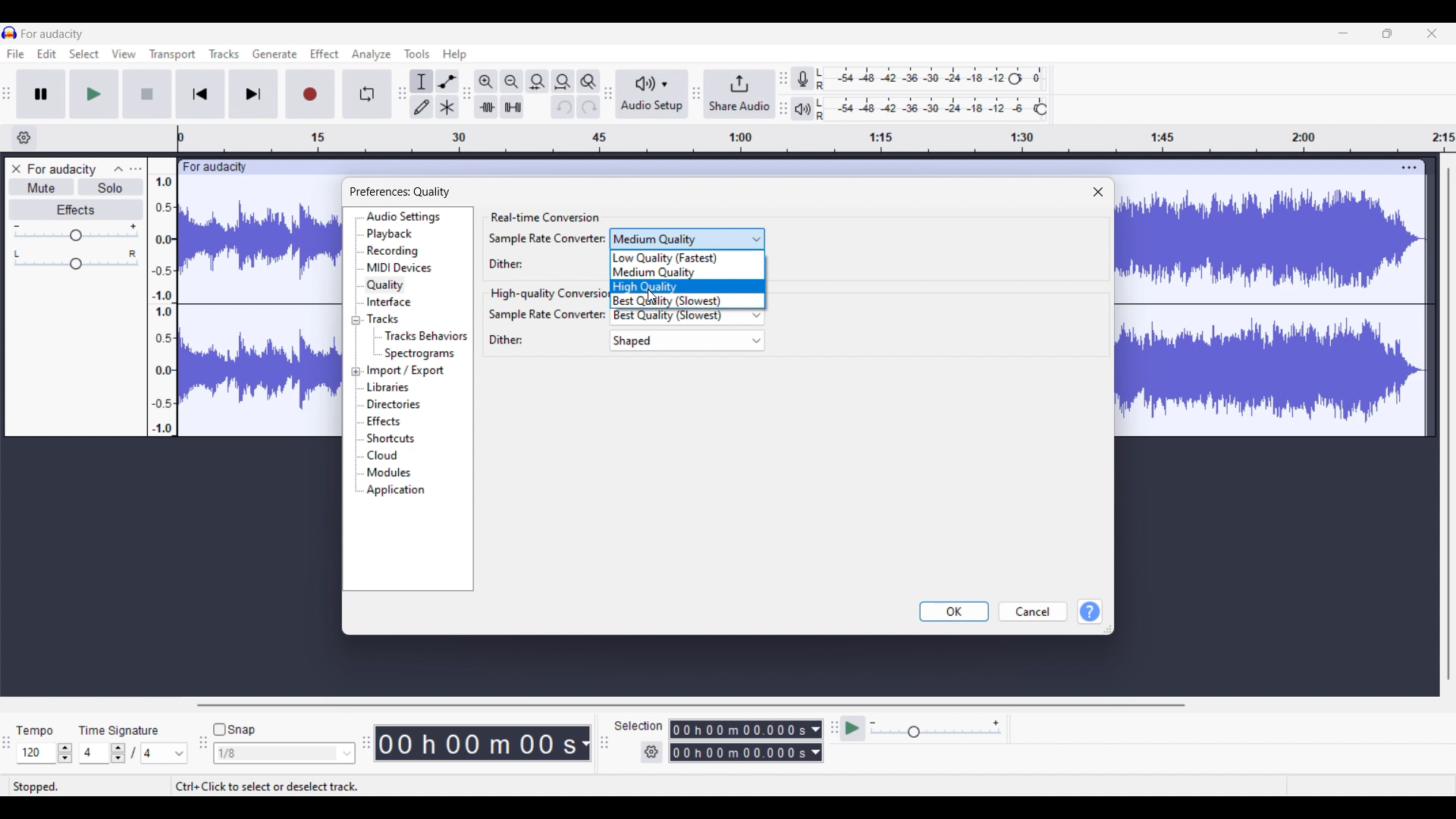 The height and width of the screenshot is (819, 1456). What do you see at coordinates (324, 54) in the screenshot?
I see `Effect menu` at bounding box center [324, 54].